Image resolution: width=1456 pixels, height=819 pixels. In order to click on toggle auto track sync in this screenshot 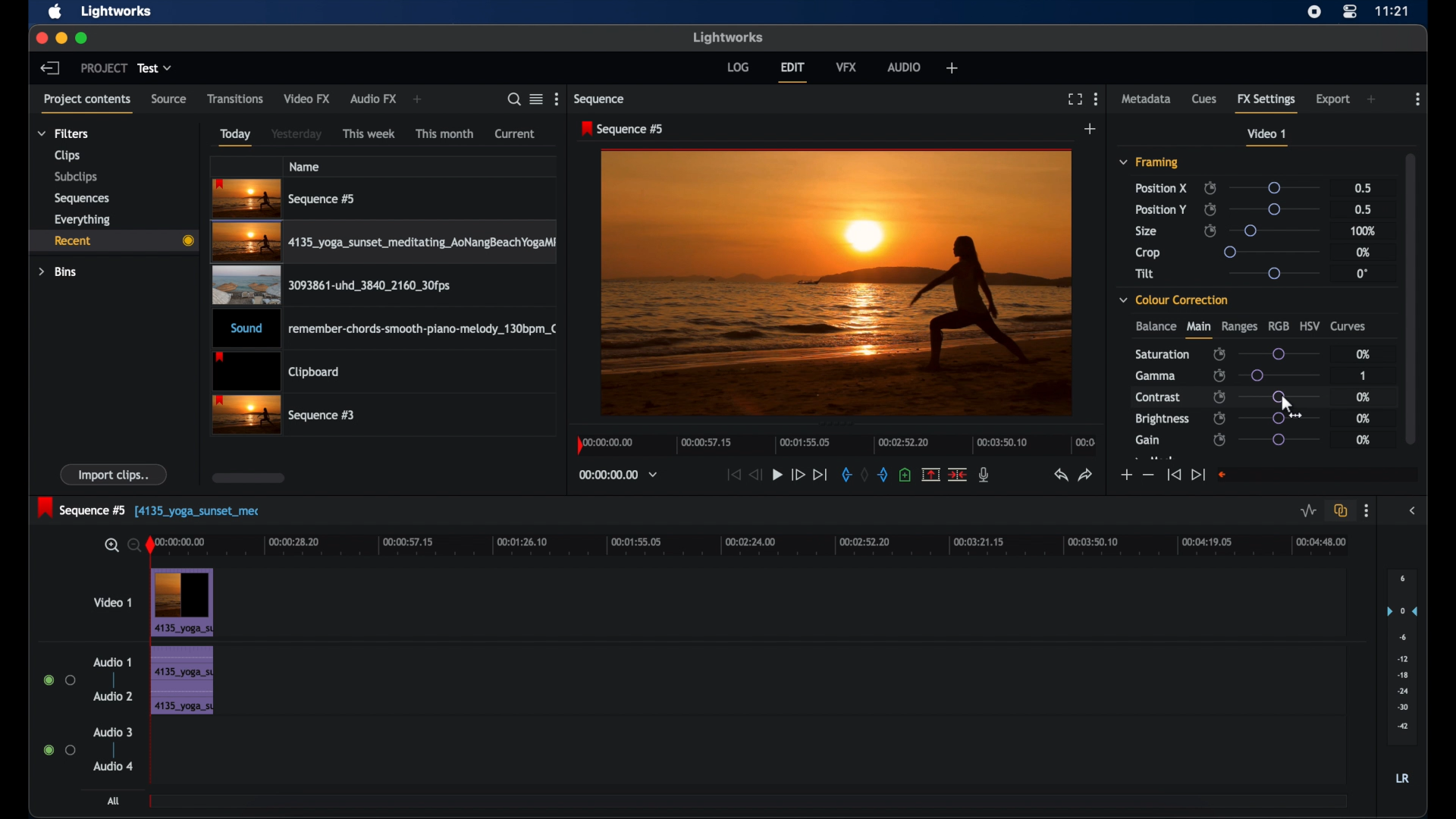, I will do `click(1341, 511)`.